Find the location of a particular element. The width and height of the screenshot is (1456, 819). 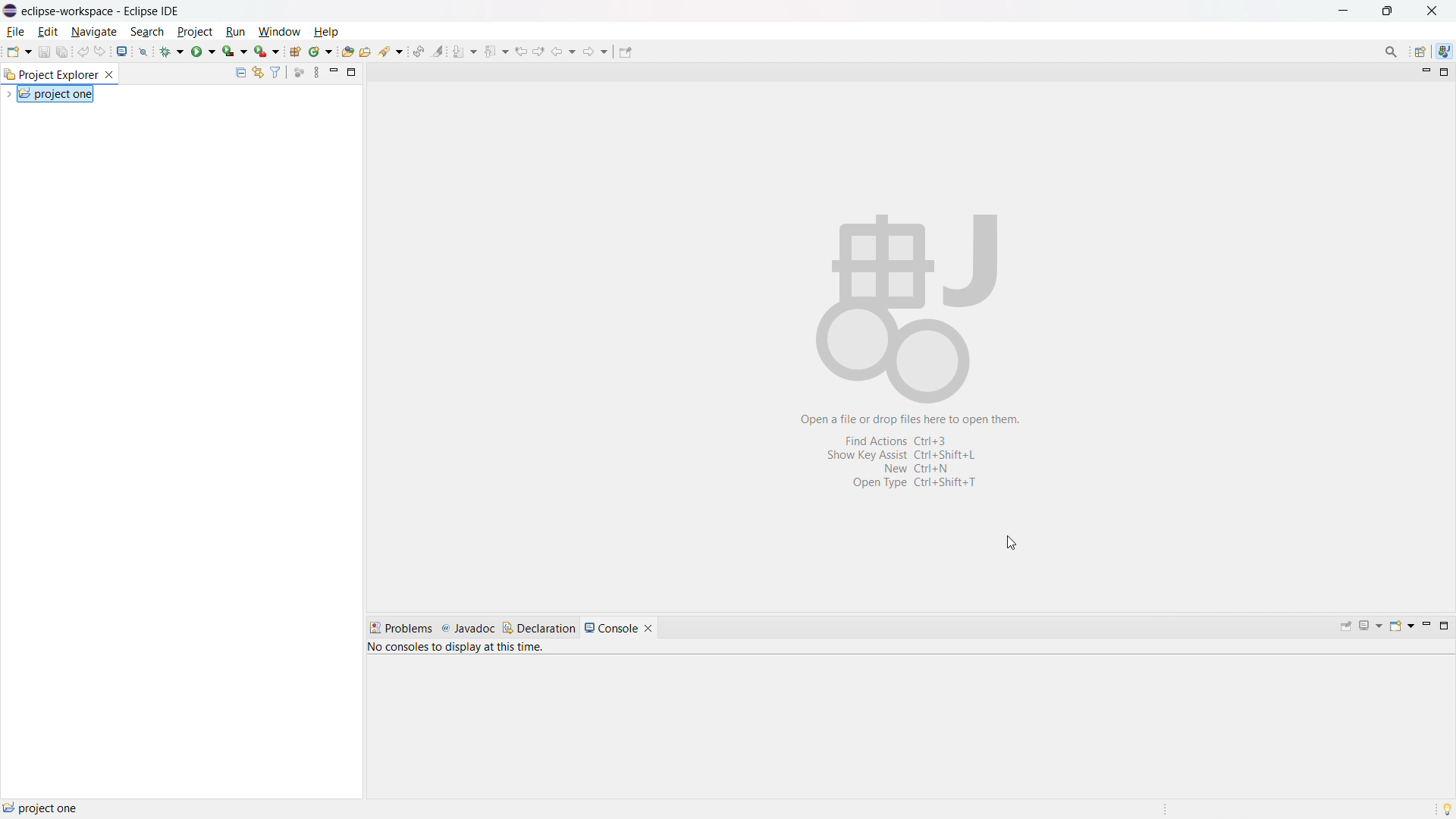

abstract is located at coordinates (910, 298).